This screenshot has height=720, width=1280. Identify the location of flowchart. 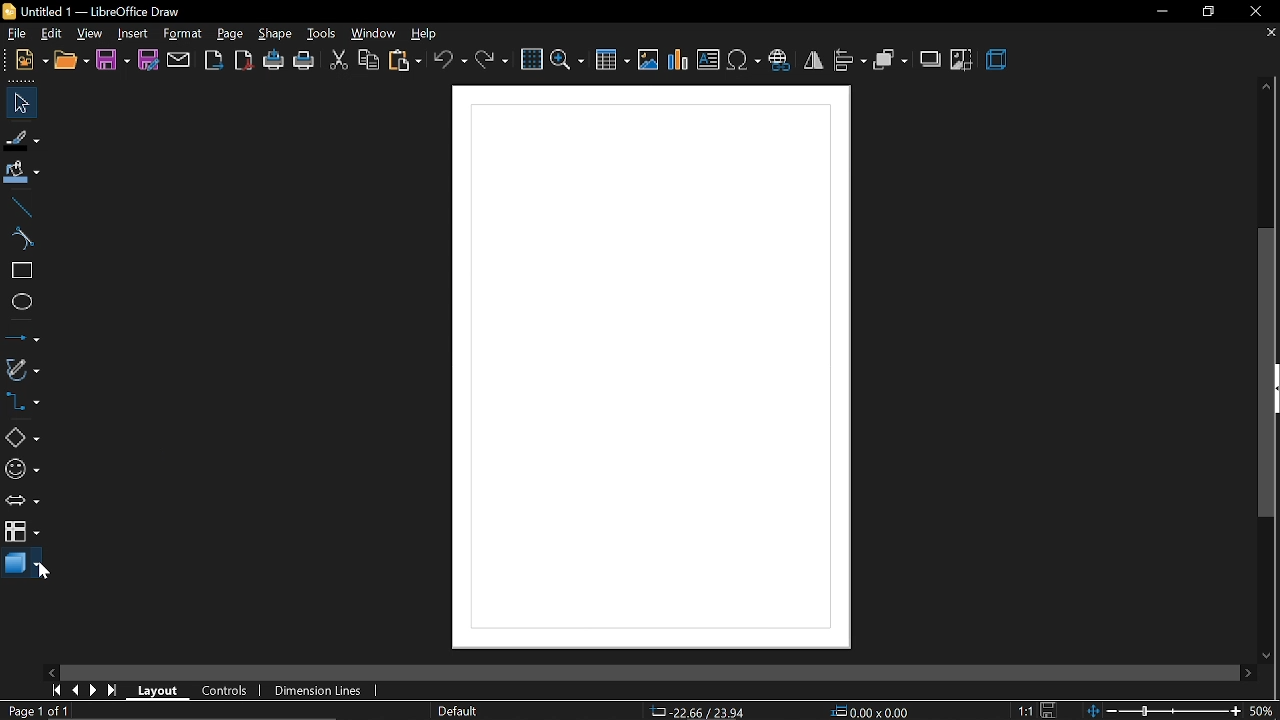
(22, 531).